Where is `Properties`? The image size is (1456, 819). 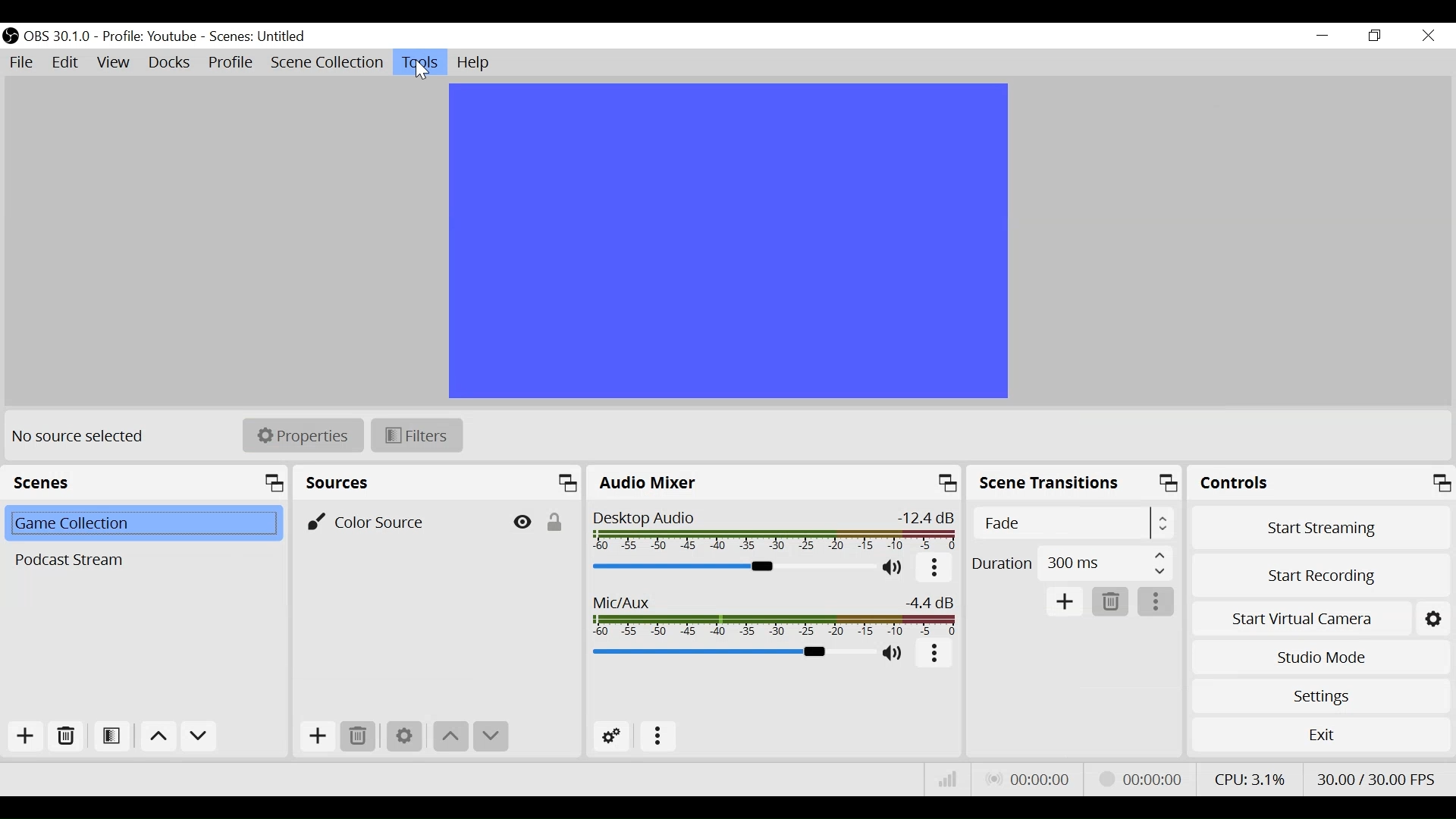 Properties is located at coordinates (303, 435).